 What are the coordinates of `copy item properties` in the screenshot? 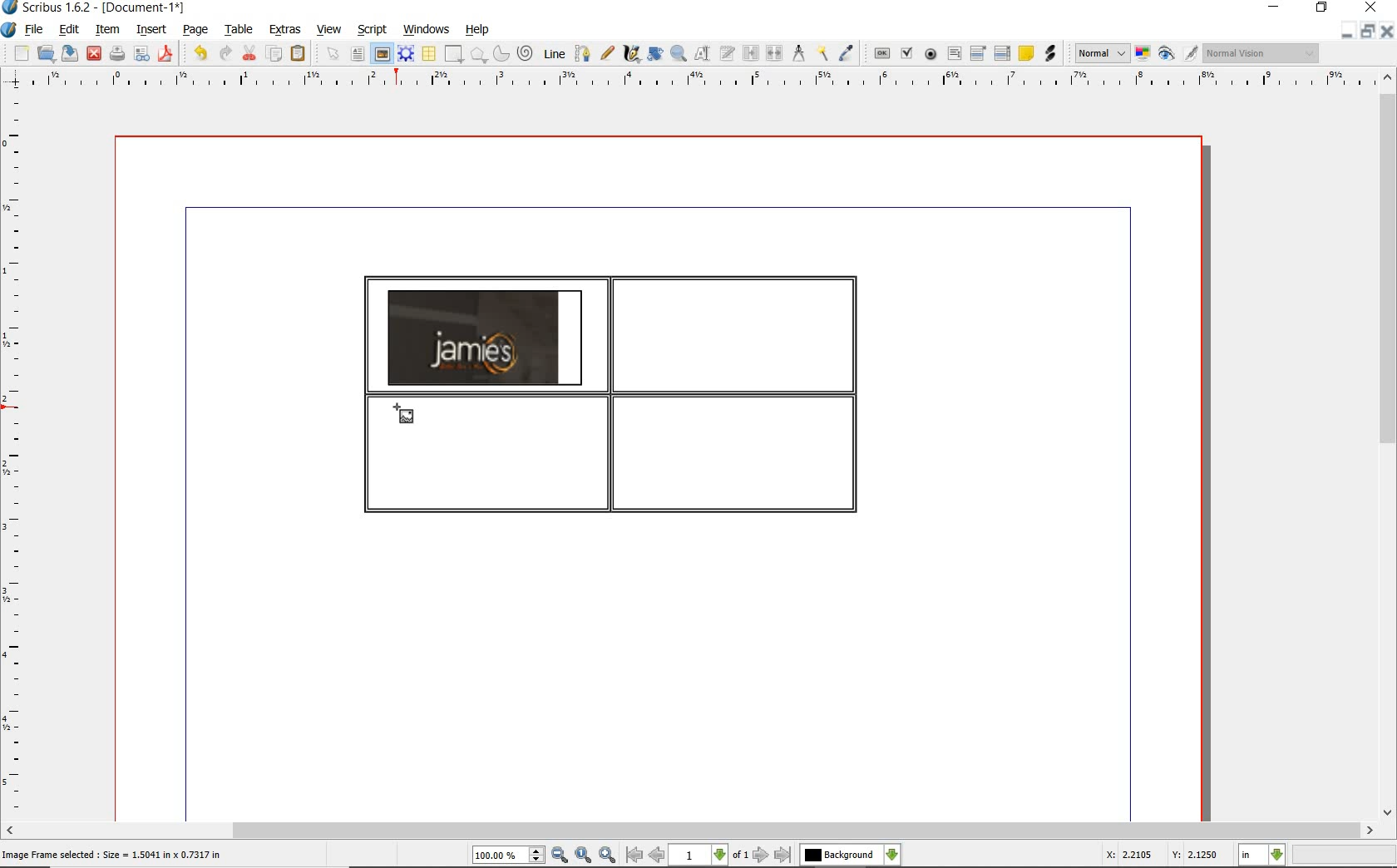 It's located at (822, 54).